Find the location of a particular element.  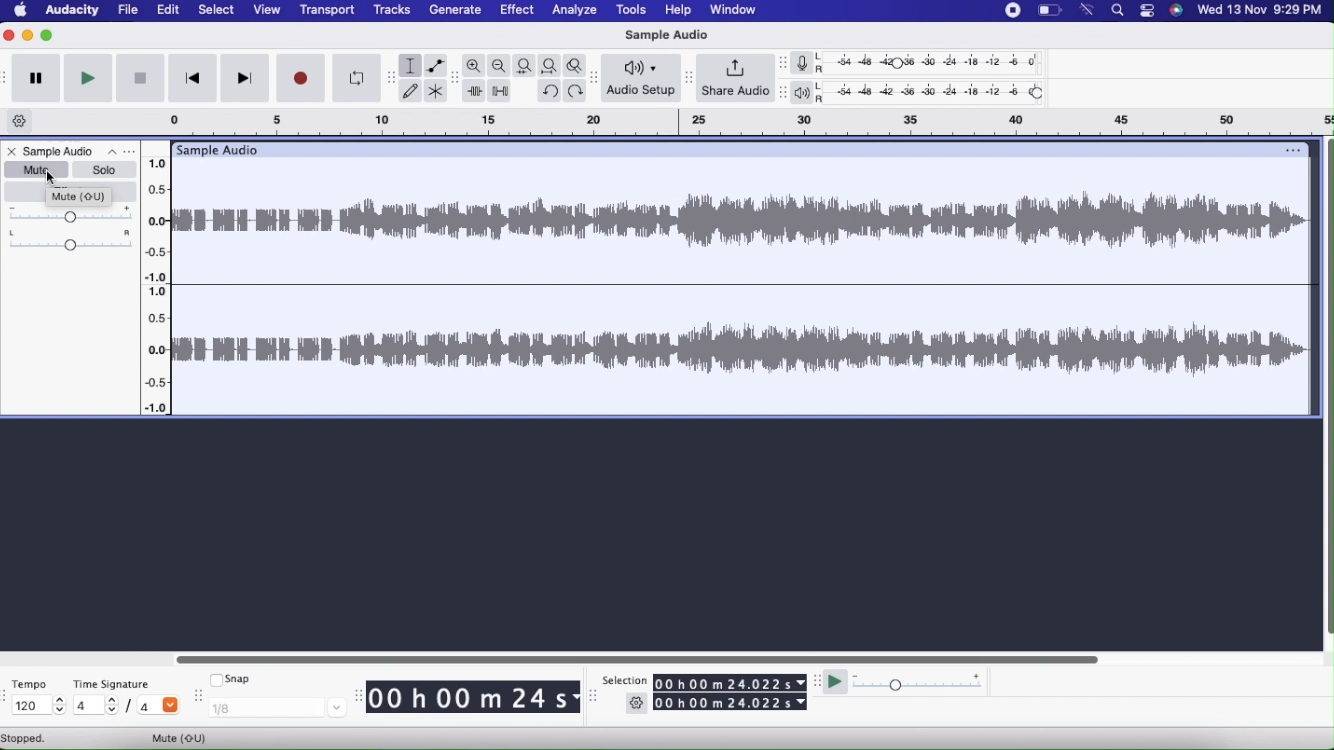

Window is located at coordinates (730, 10).